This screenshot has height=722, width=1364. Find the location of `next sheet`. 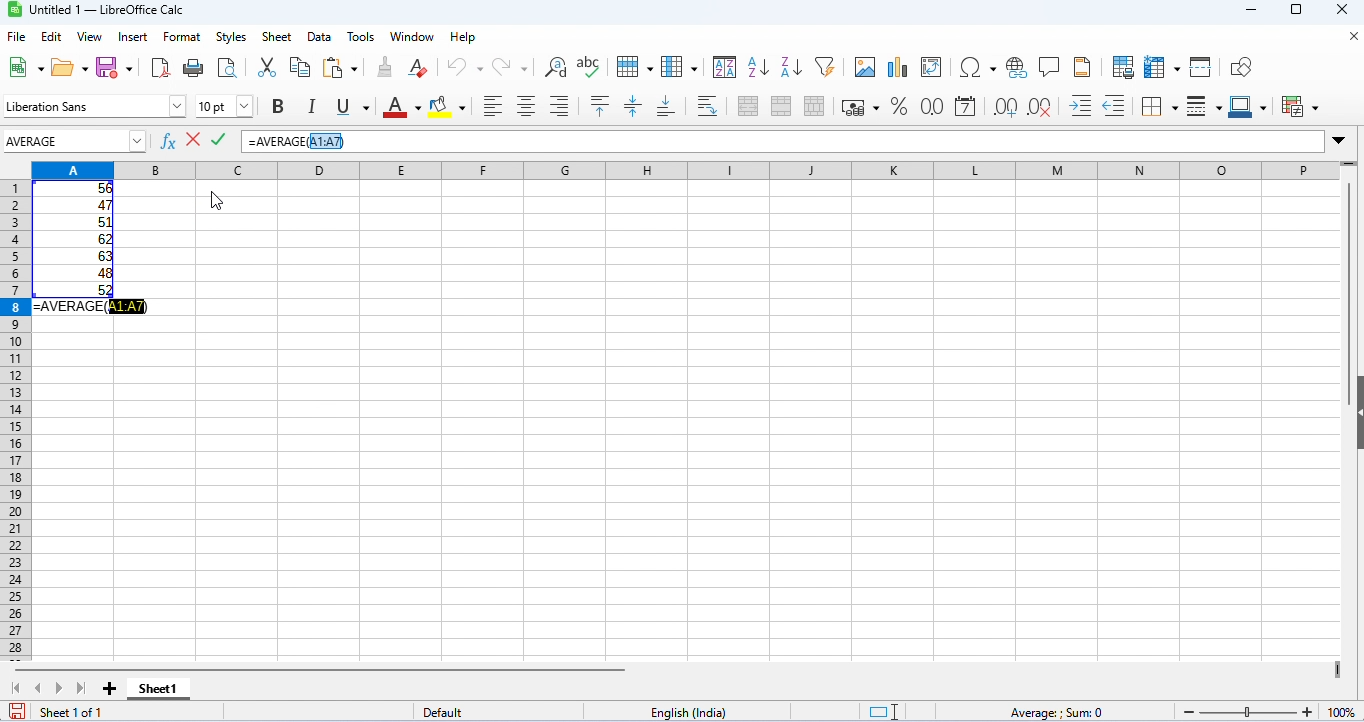

next sheet is located at coordinates (60, 690).